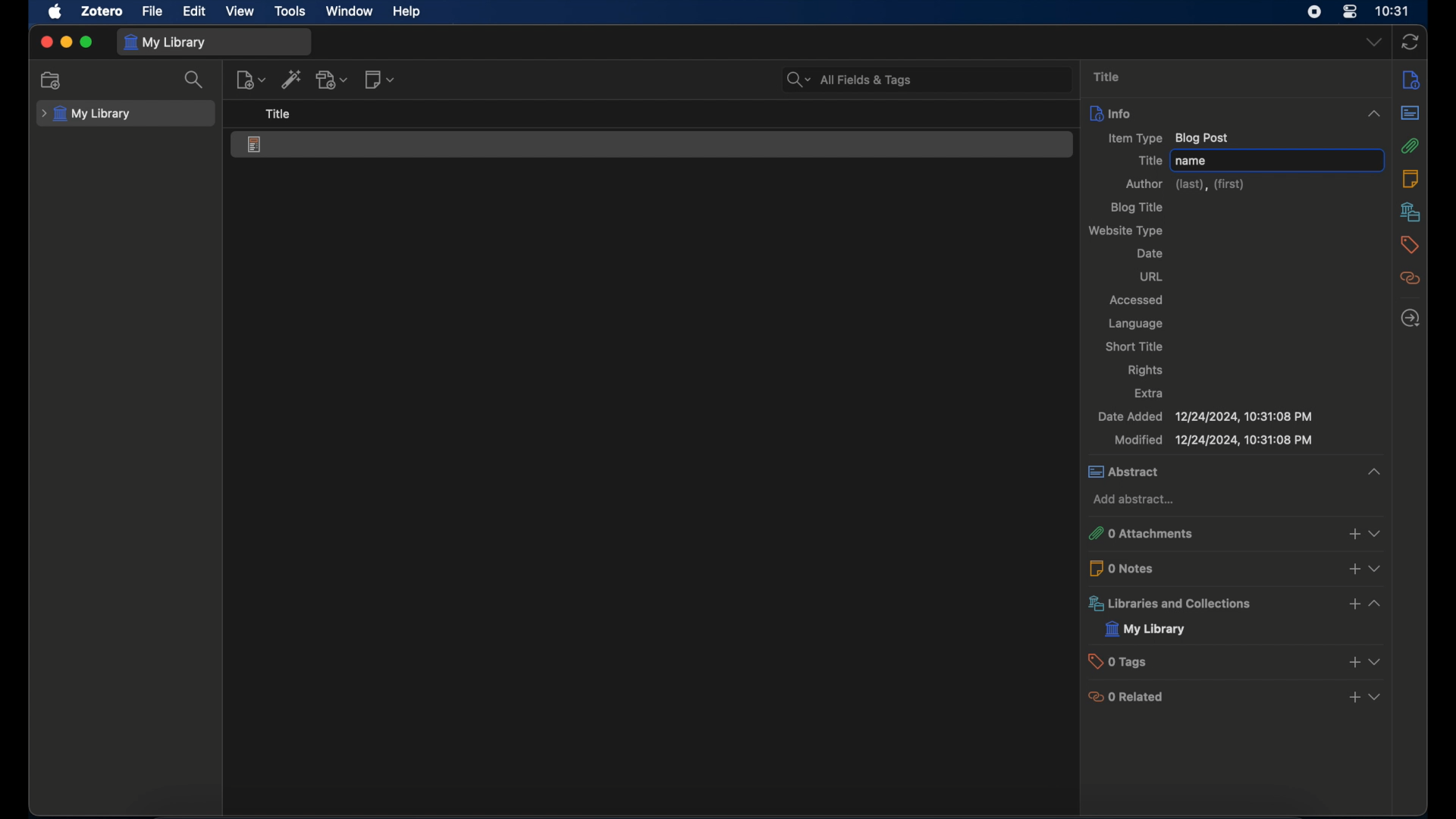 The width and height of the screenshot is (1456, 819). I want to click on website type, so click(1128, 231).